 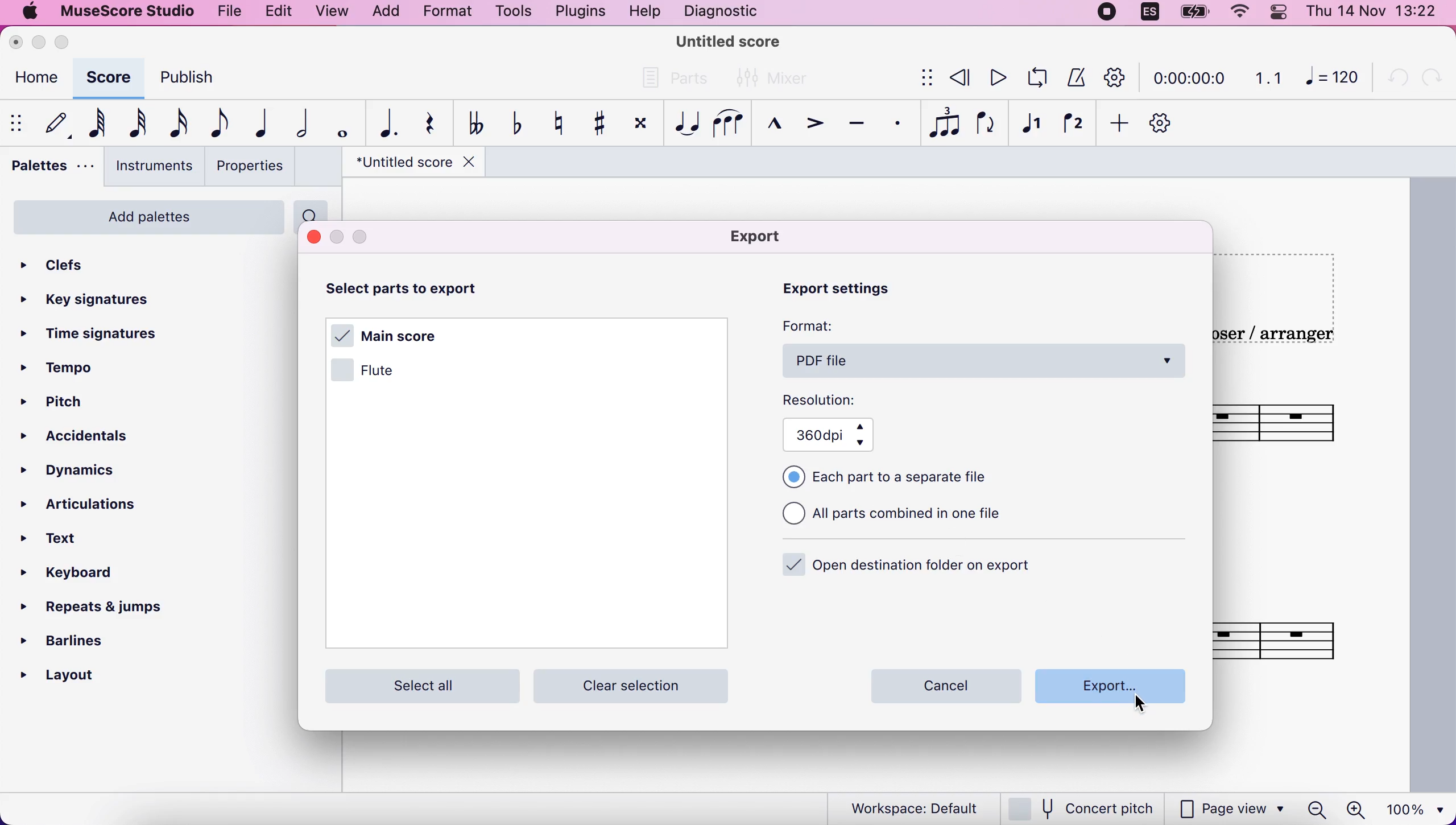 What do you see at coordinates (778, 77) in the screenshot?
I see `mixer` at bounding box center [778, 77].